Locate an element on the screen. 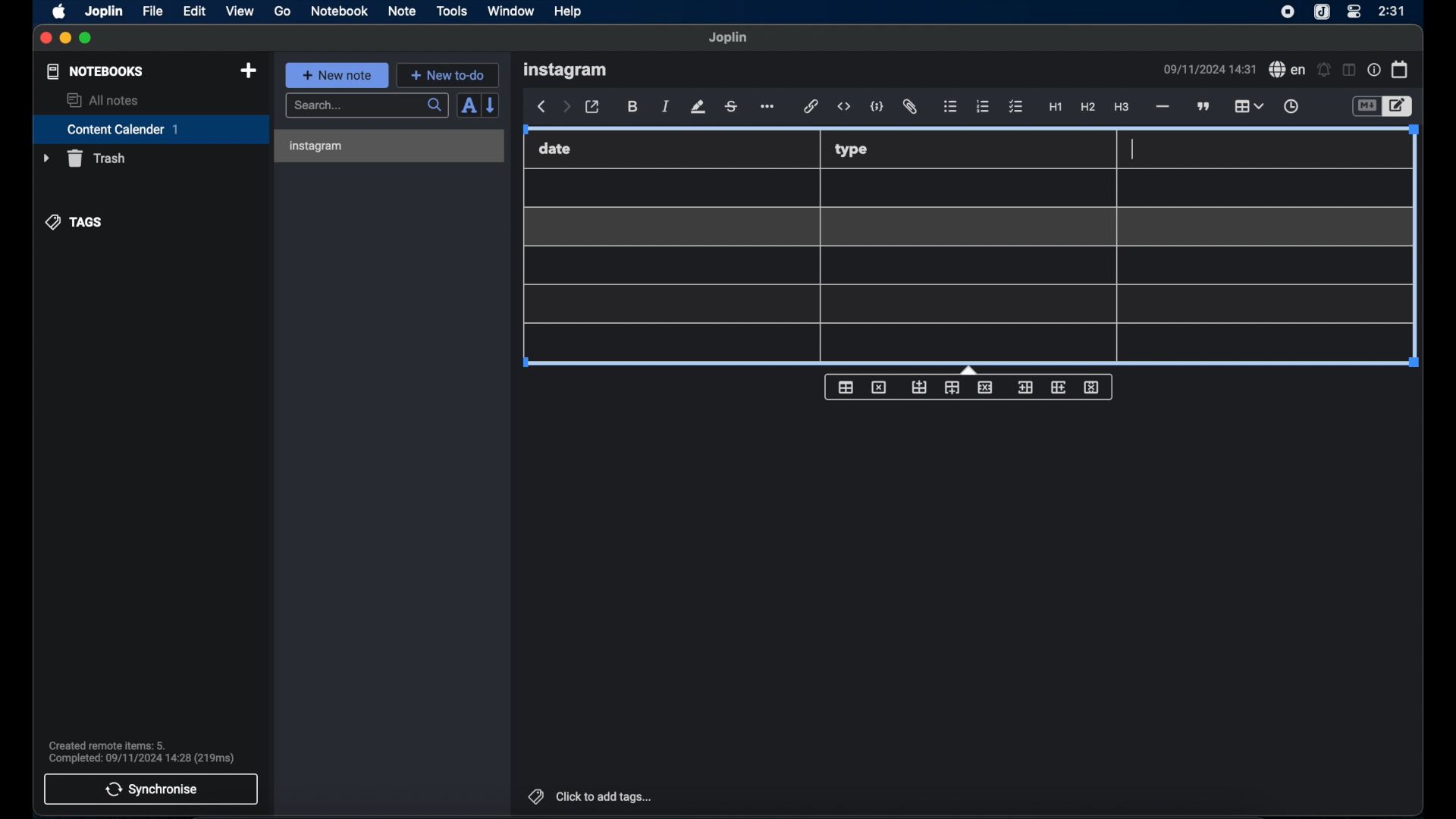 This screenshot has width=1456, height=819. control center is located at coordinates (1354, 12).